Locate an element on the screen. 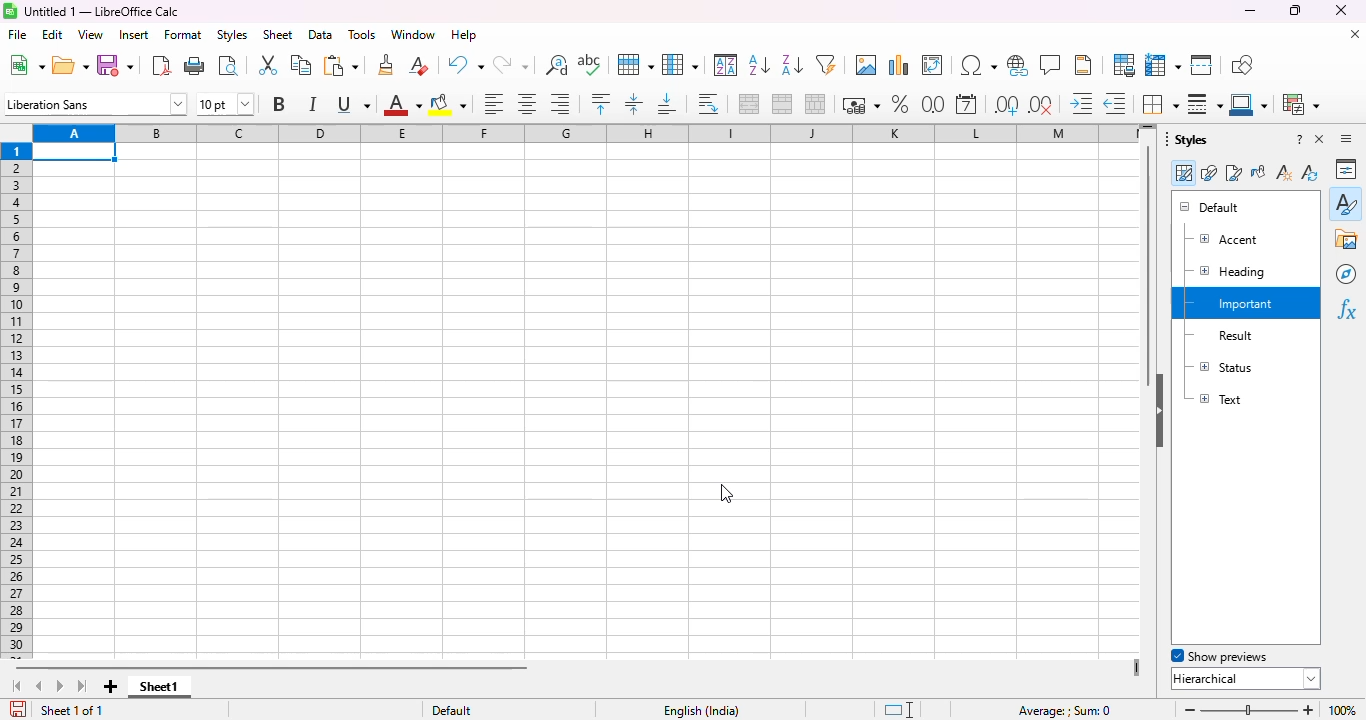  default is located at coordinates (451, 710).